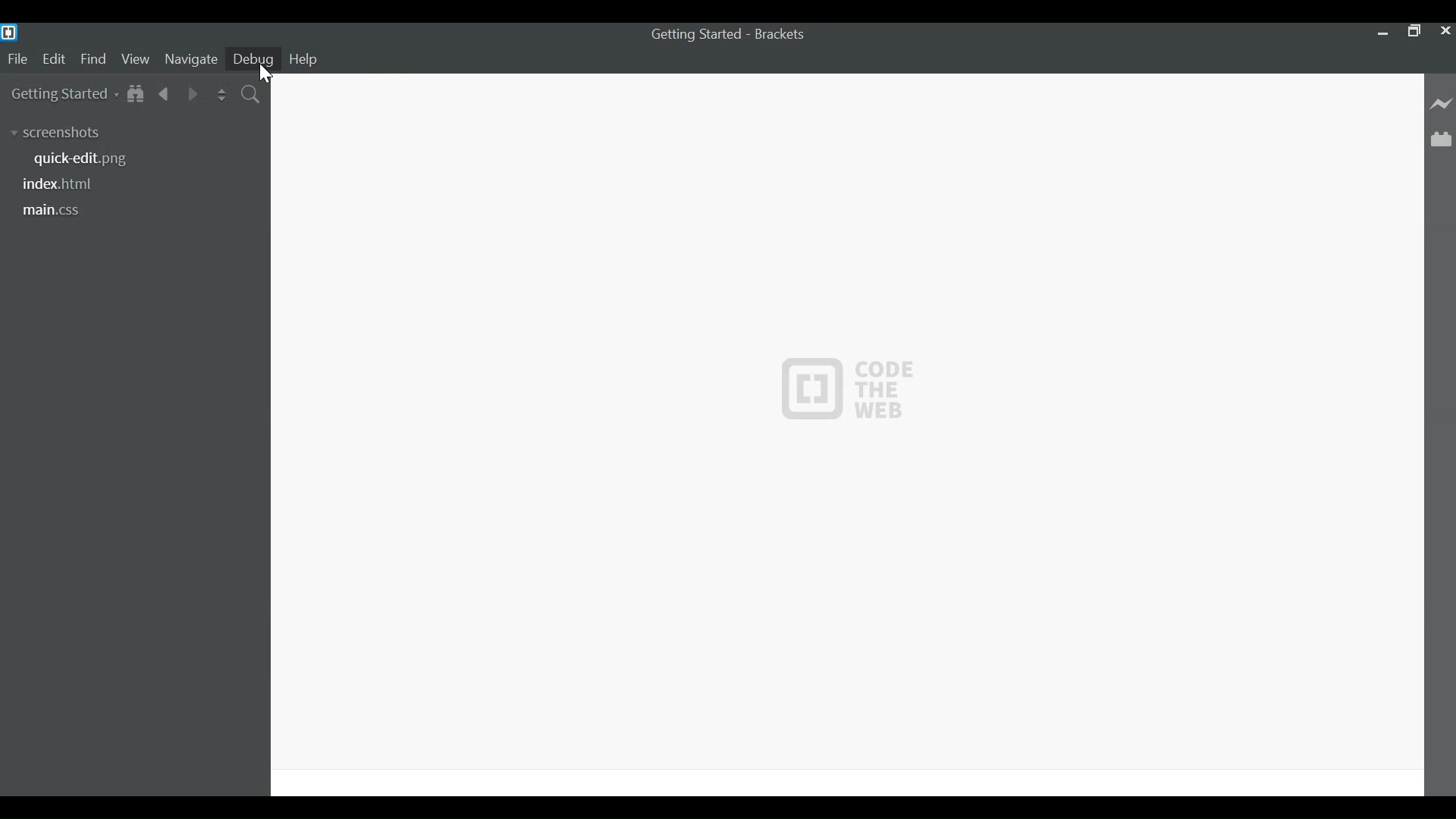  I want to click on index.html, so click(60, 184).